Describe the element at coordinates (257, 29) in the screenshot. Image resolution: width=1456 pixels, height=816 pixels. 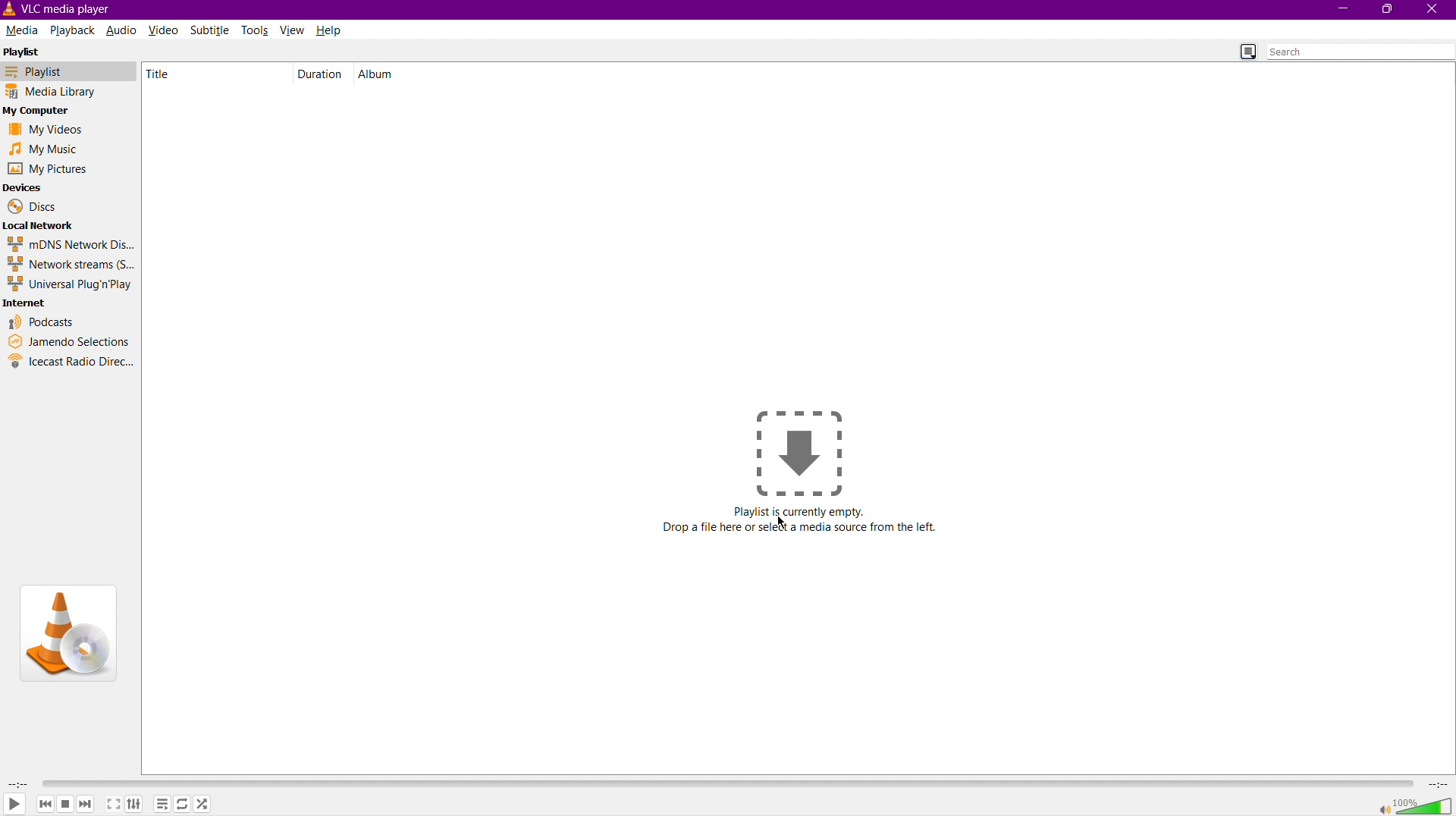
I see `Tools` at that location.